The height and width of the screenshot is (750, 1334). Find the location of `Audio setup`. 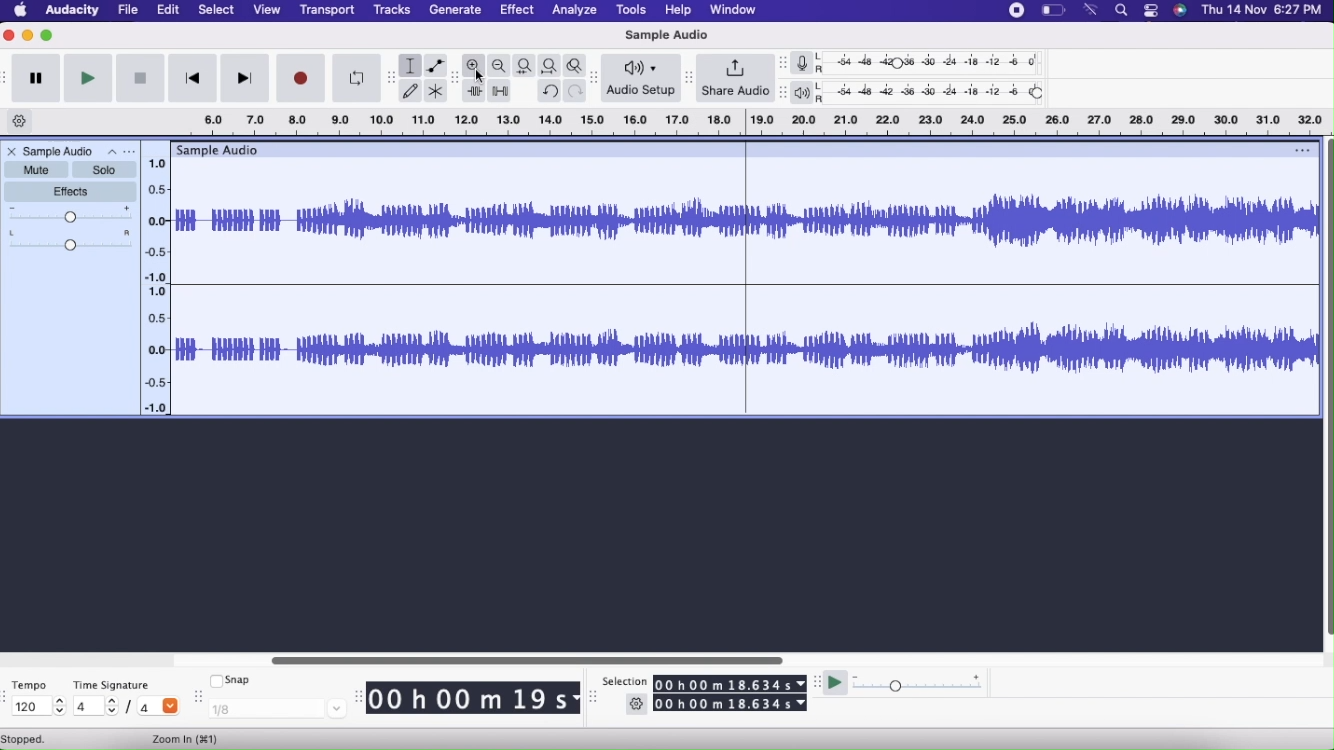

Audio setup is located at coordinates (642, 80).